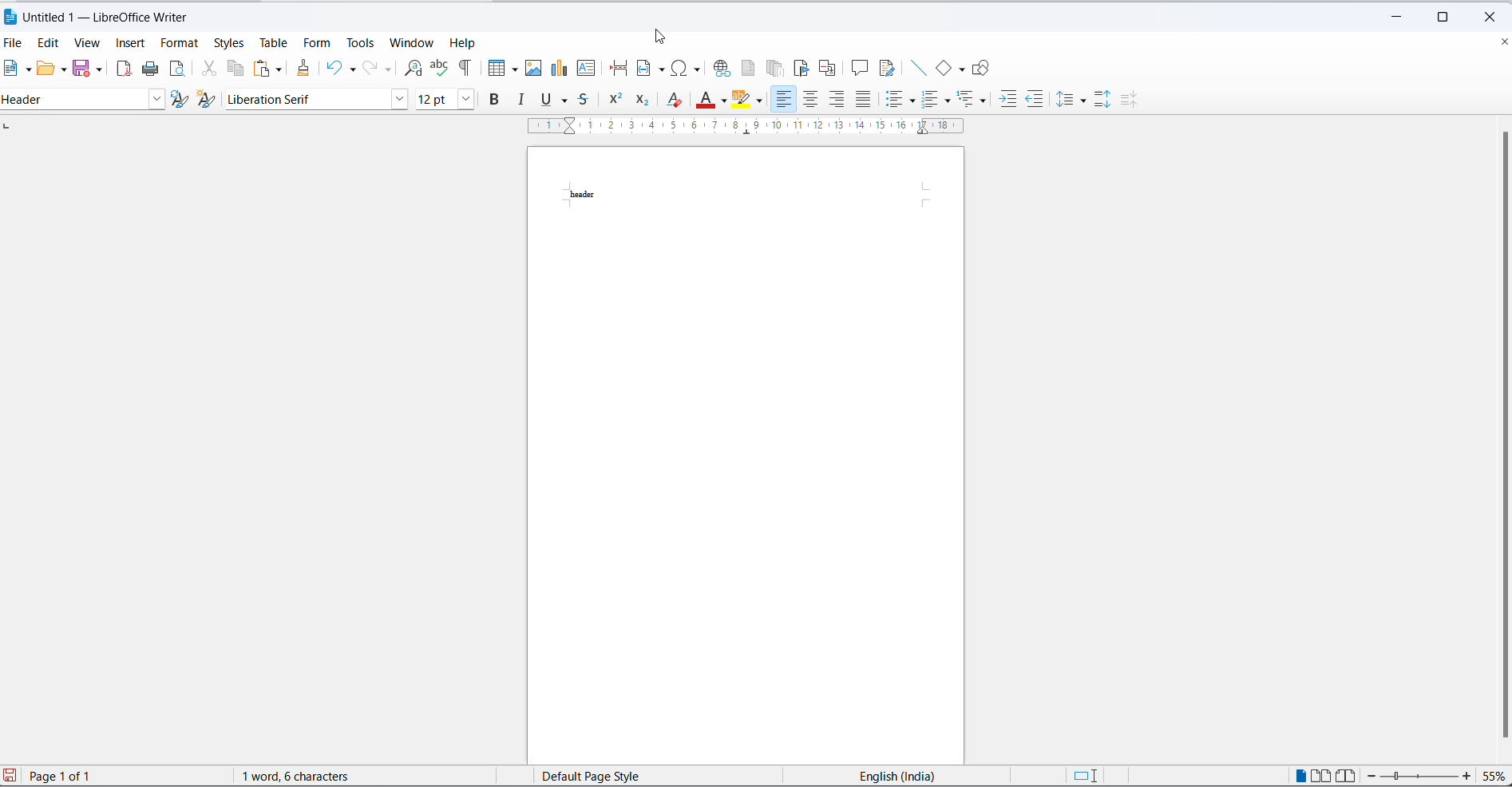 Image resolution: width=1512 pixels, height=787 pixels. What do you see at coordinates (863, 101) in the screenshot?
I see `justified` at bounding box center [863, 101].